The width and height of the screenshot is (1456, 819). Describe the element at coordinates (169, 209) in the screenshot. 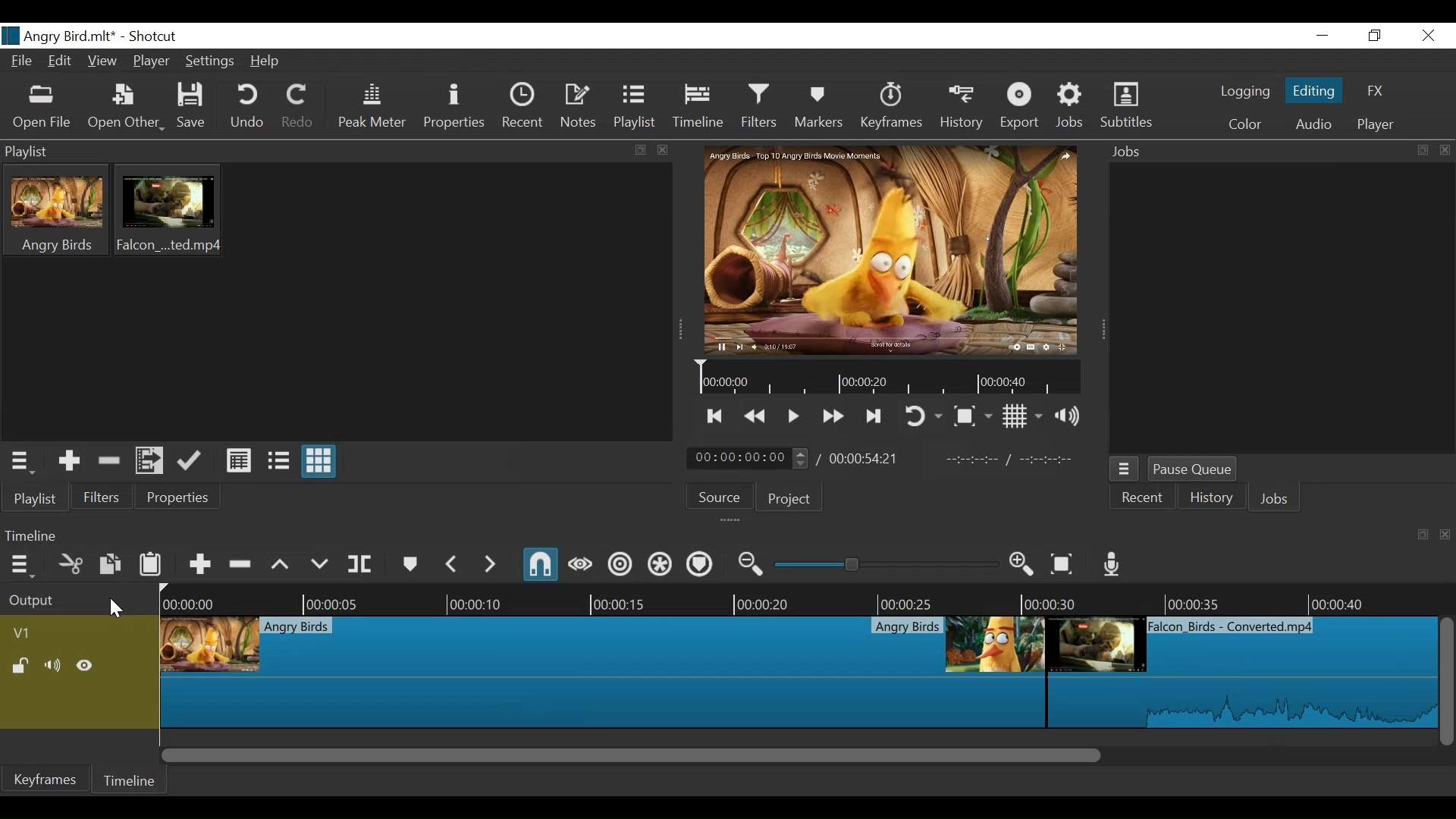

I see `Clip` at that location.